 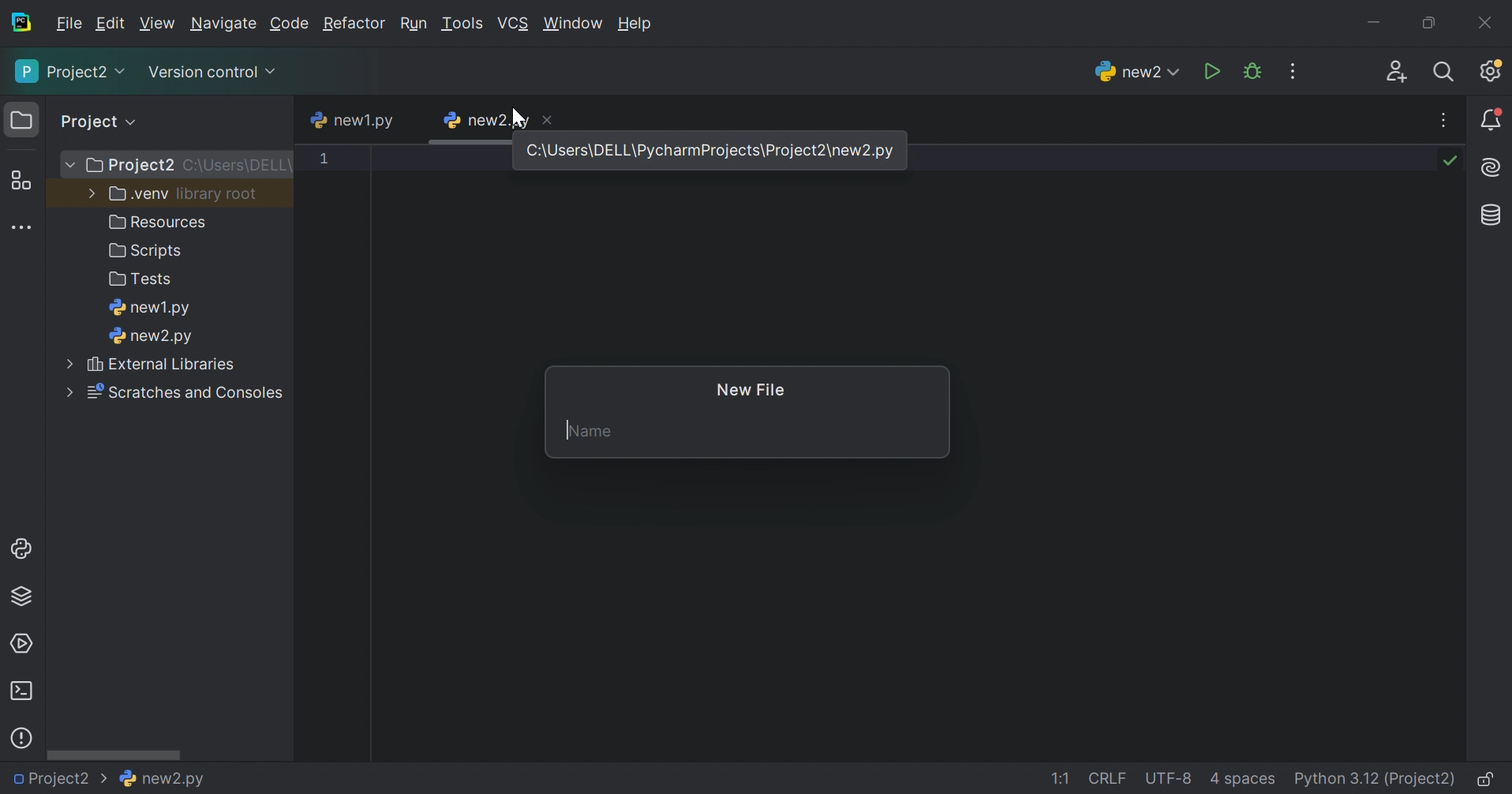 I want to click on Restore down, so click(x=1426, y=24).